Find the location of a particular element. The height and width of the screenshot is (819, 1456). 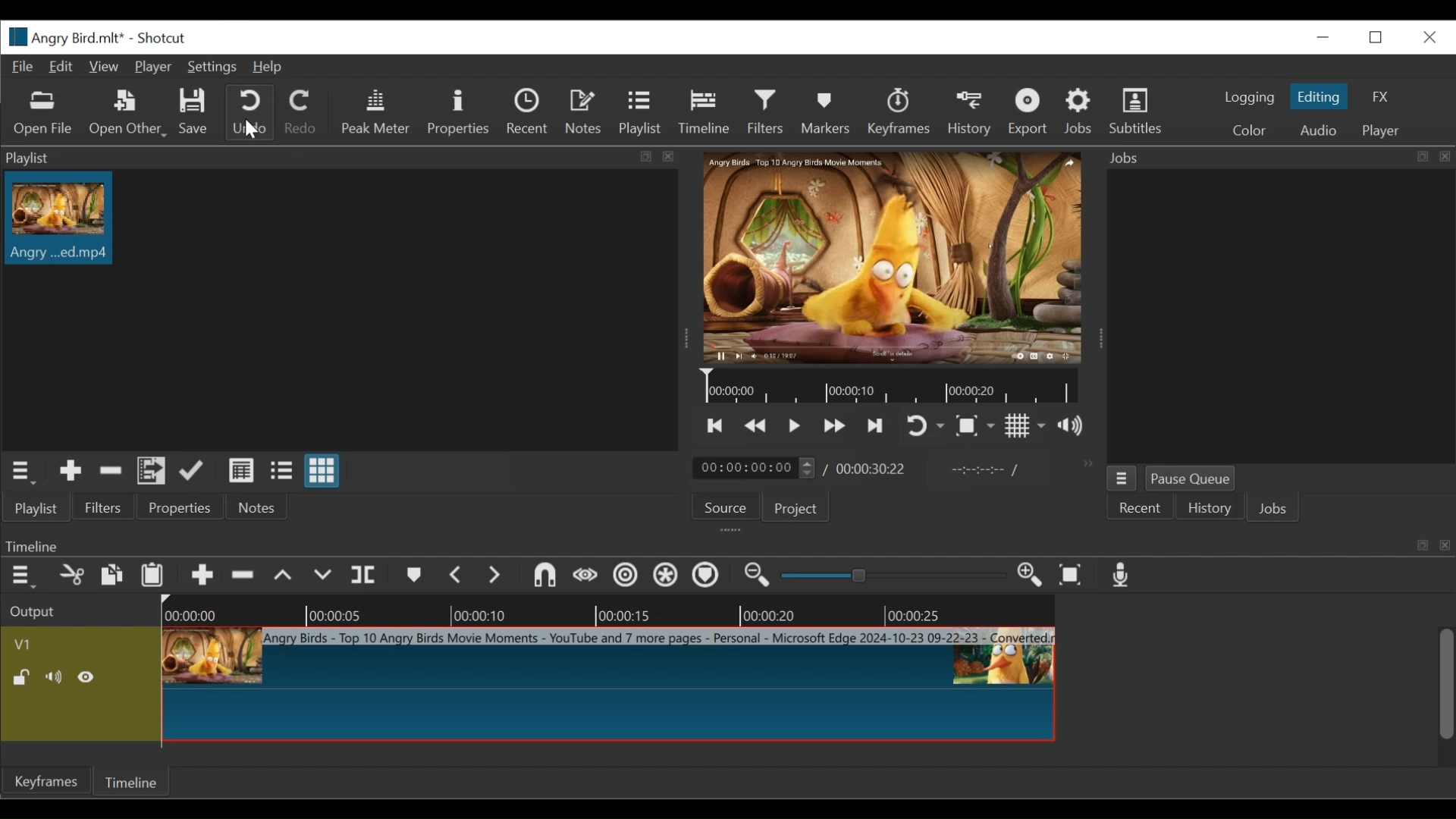

Edit is located at coordinates (61, 67).